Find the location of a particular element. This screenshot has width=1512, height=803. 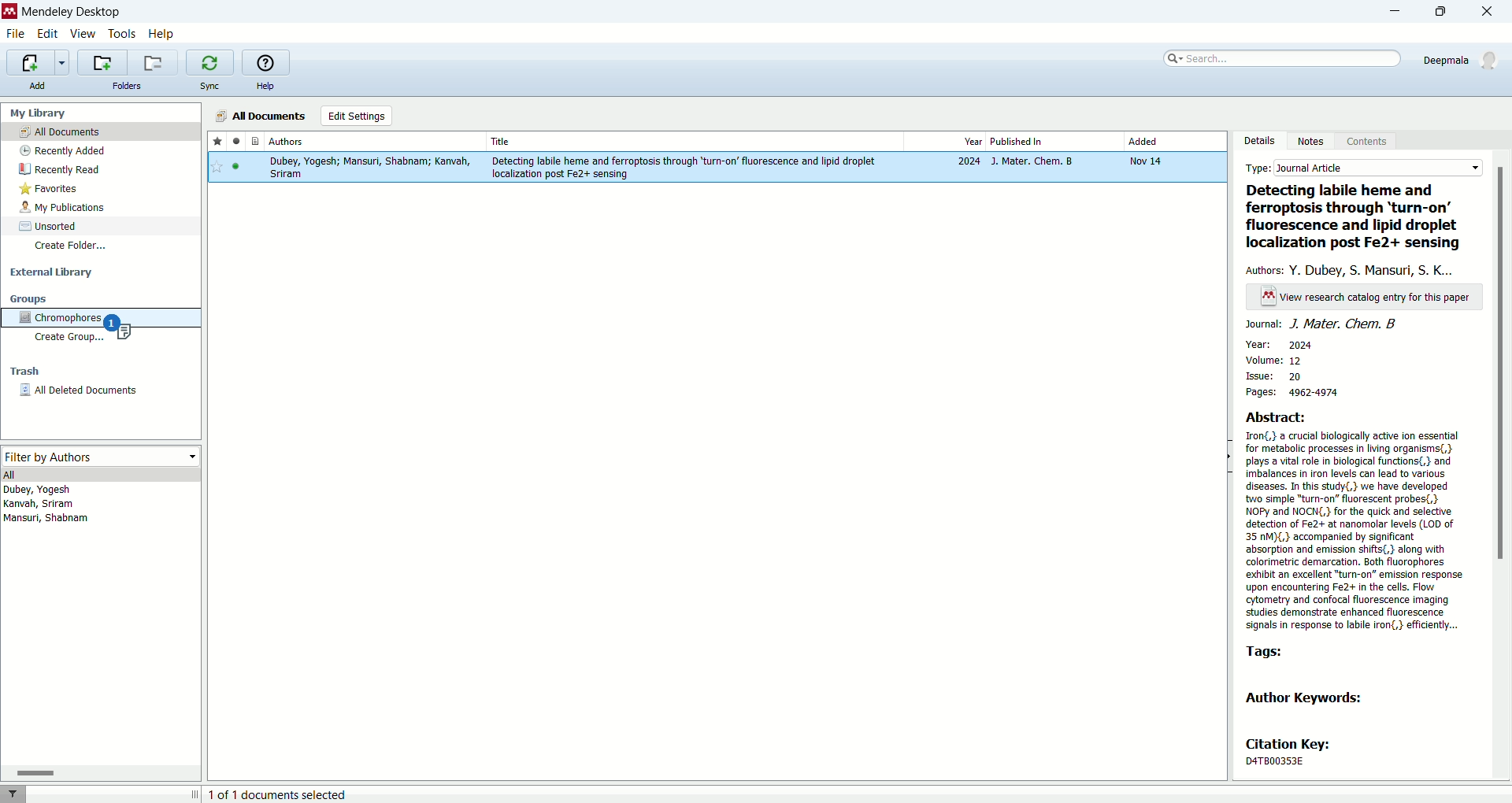

help guide for mendeley is located at coordinates (265, 62).